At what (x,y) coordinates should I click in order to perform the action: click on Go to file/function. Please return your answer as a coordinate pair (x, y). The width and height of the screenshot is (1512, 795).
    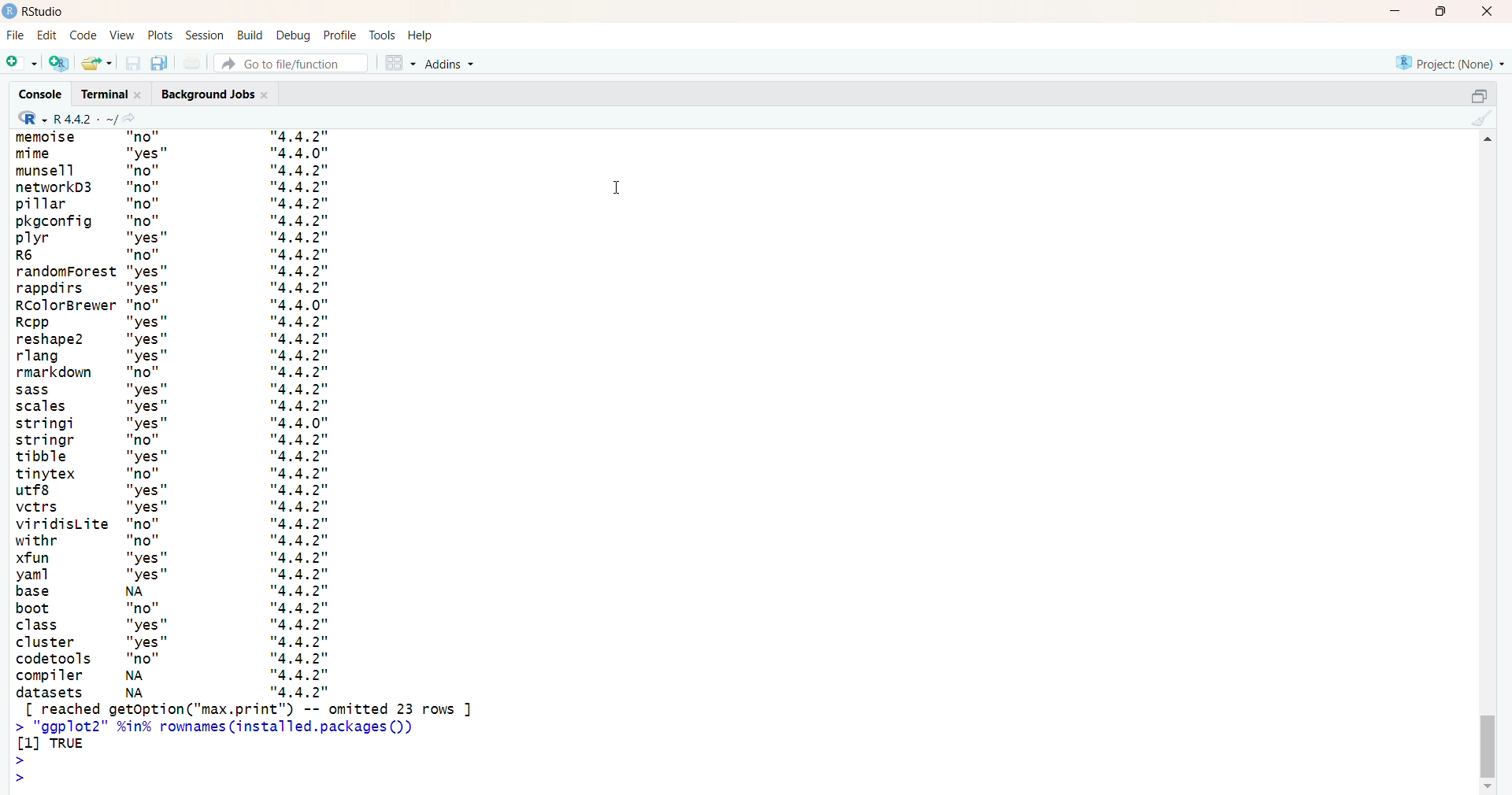
    Looking at the image, I should click on (295, 63).